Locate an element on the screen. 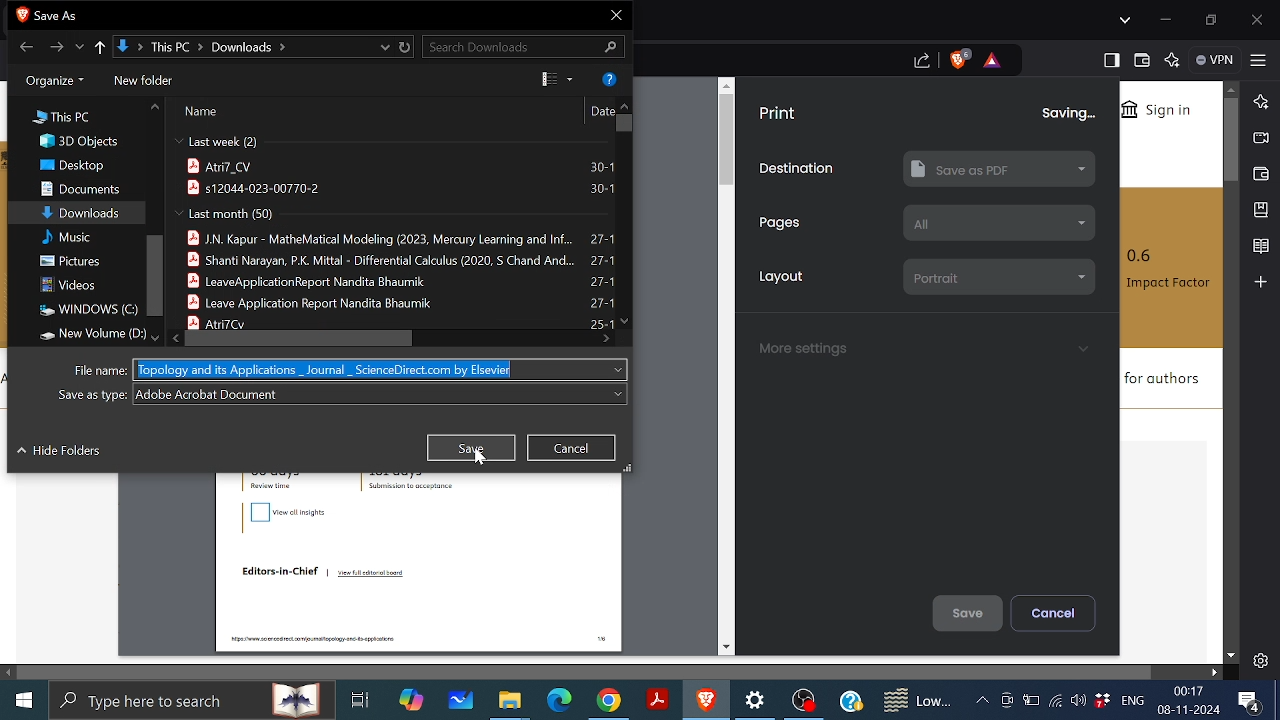 This screenshot has width=1280, height=720. adobe acrobat document is located at coordinates (378, 394).